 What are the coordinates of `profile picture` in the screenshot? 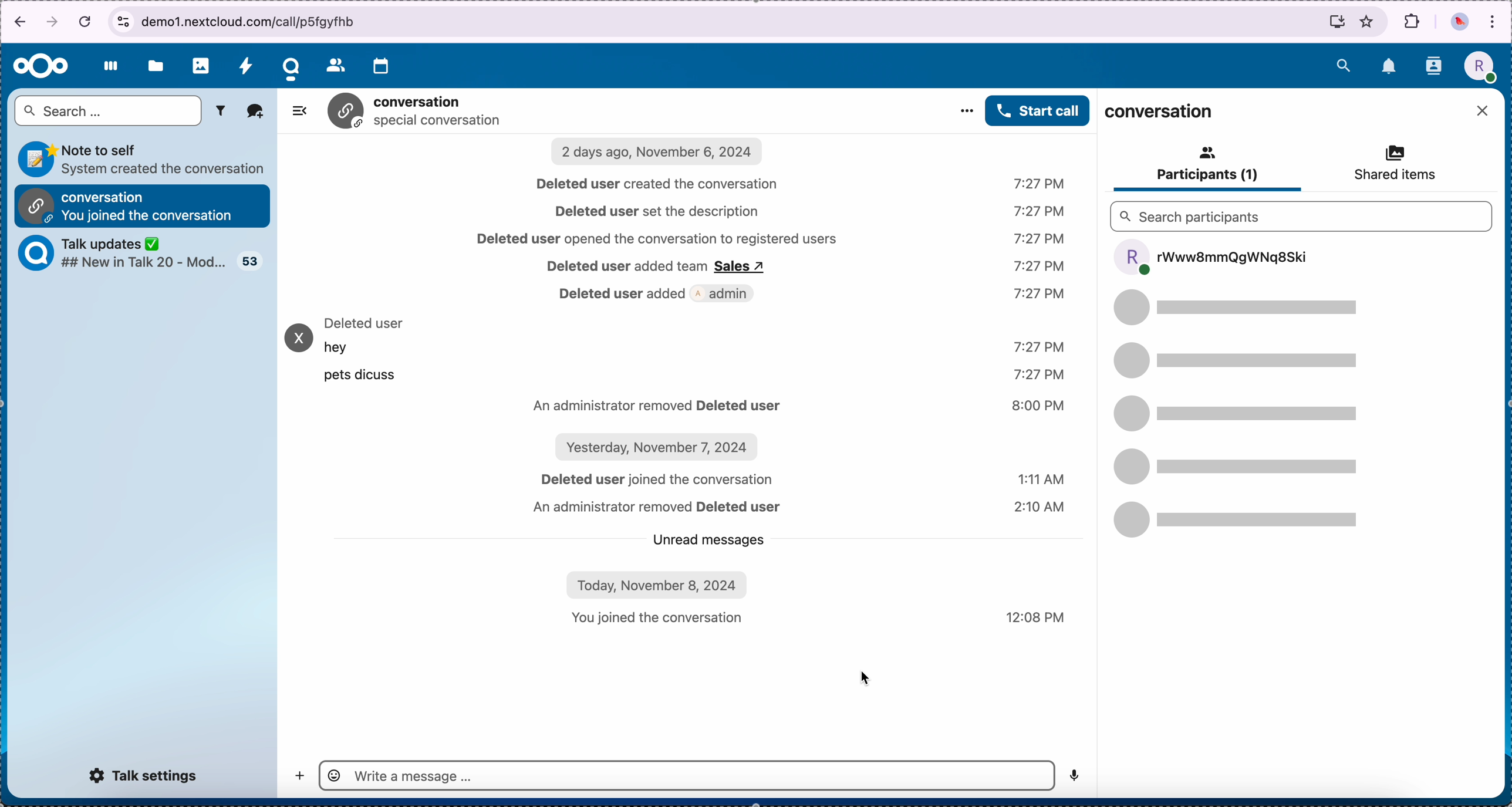 It's located at (1483, 66).